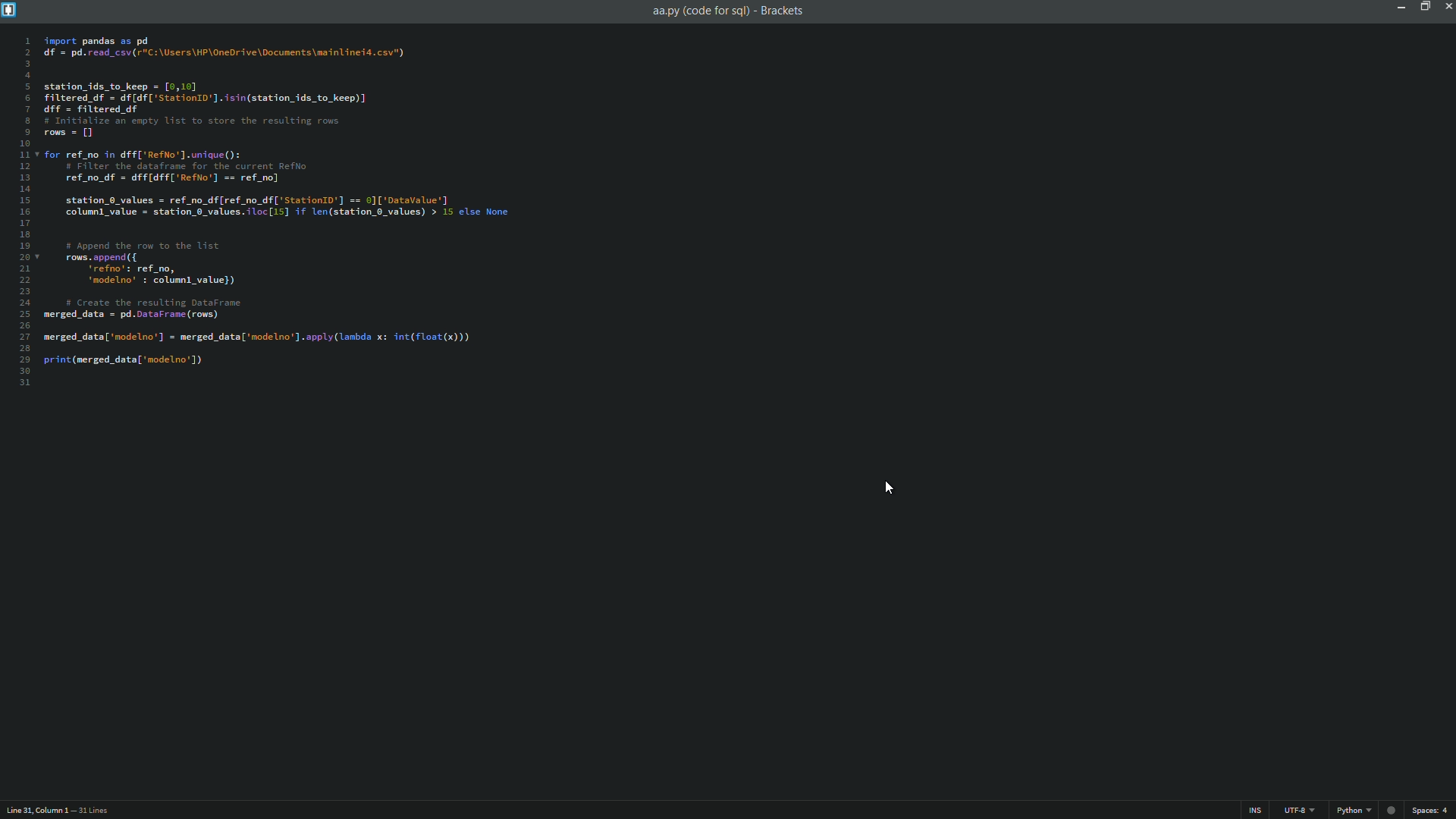 The width and height of the screenshot is (1456, 819). Describe the element at coordinates (24, 224) in the screenshot. I see `line numbers` at that location.